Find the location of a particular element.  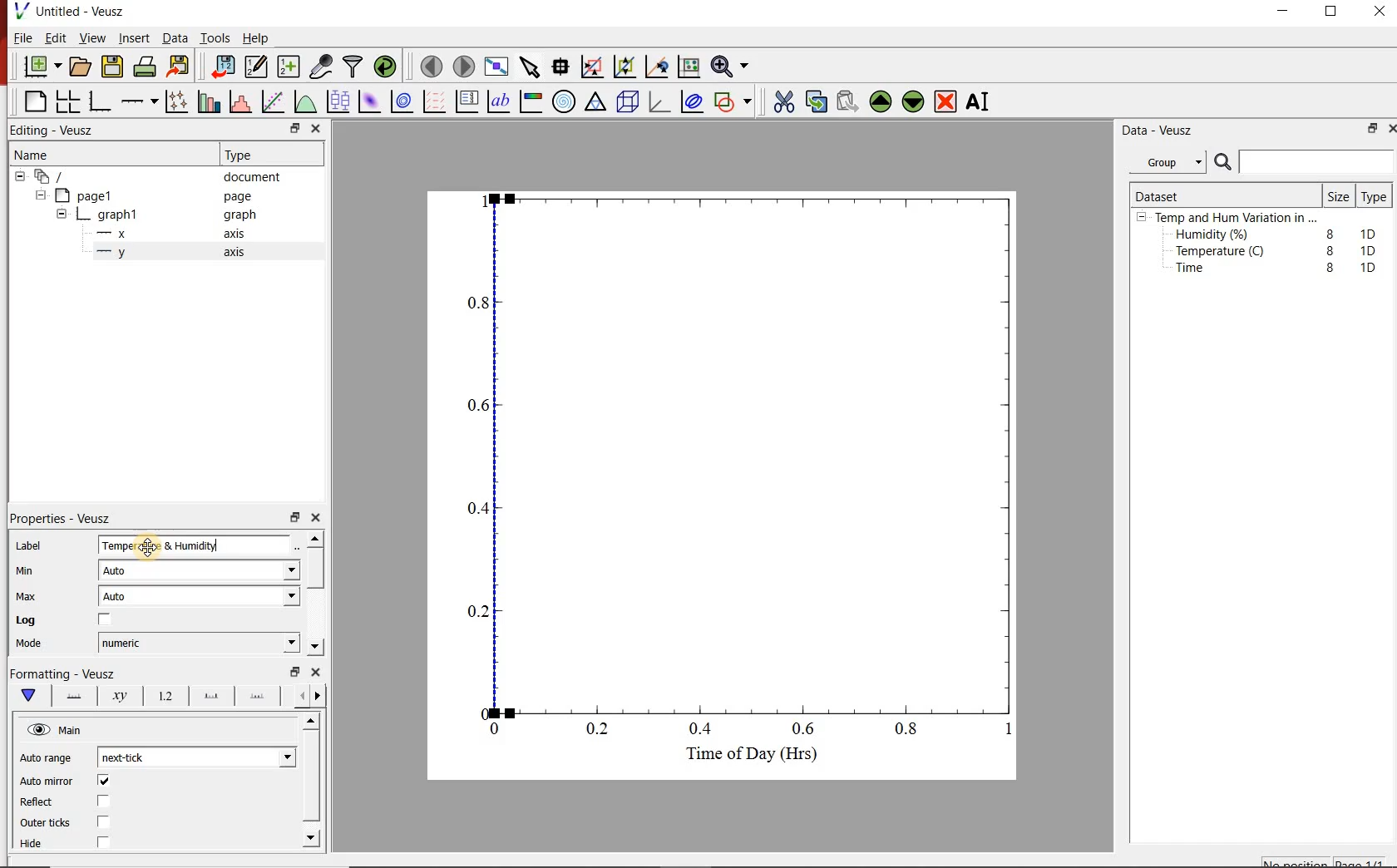

view plot full screen is located at coordinates (497, 67).